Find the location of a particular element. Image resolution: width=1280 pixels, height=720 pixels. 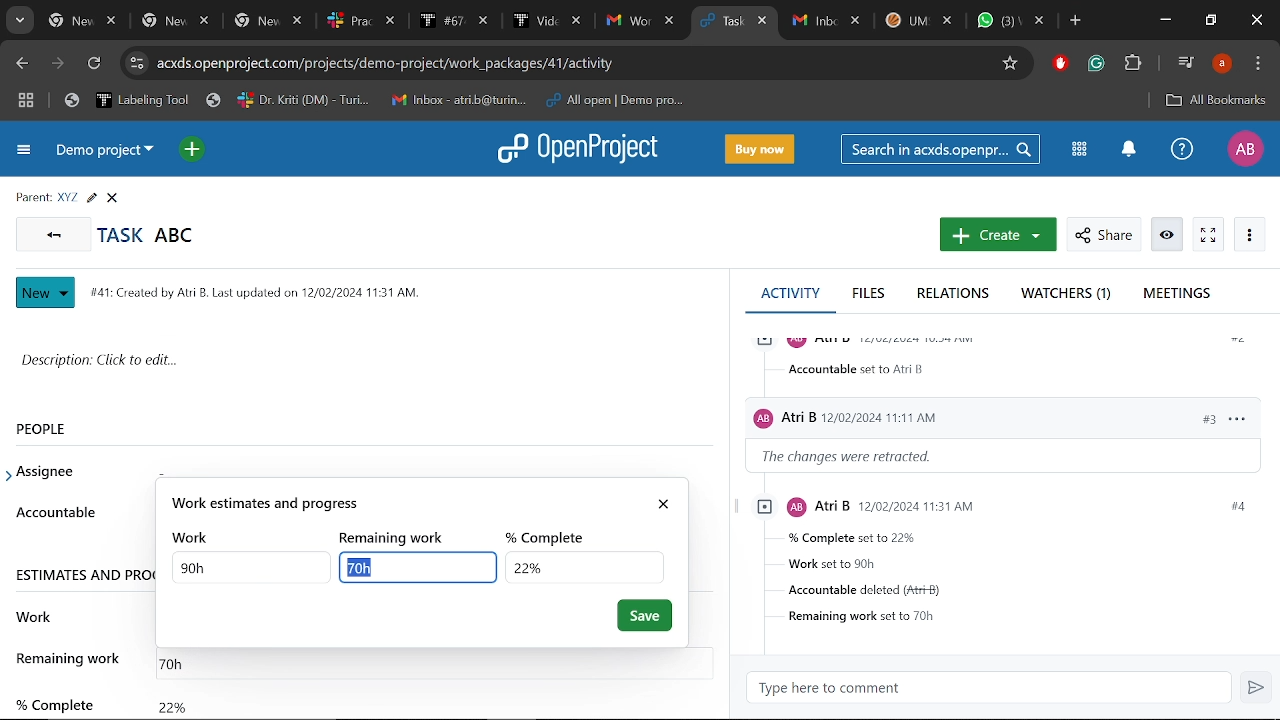

Close current tab is located at coordinates (764, 23).